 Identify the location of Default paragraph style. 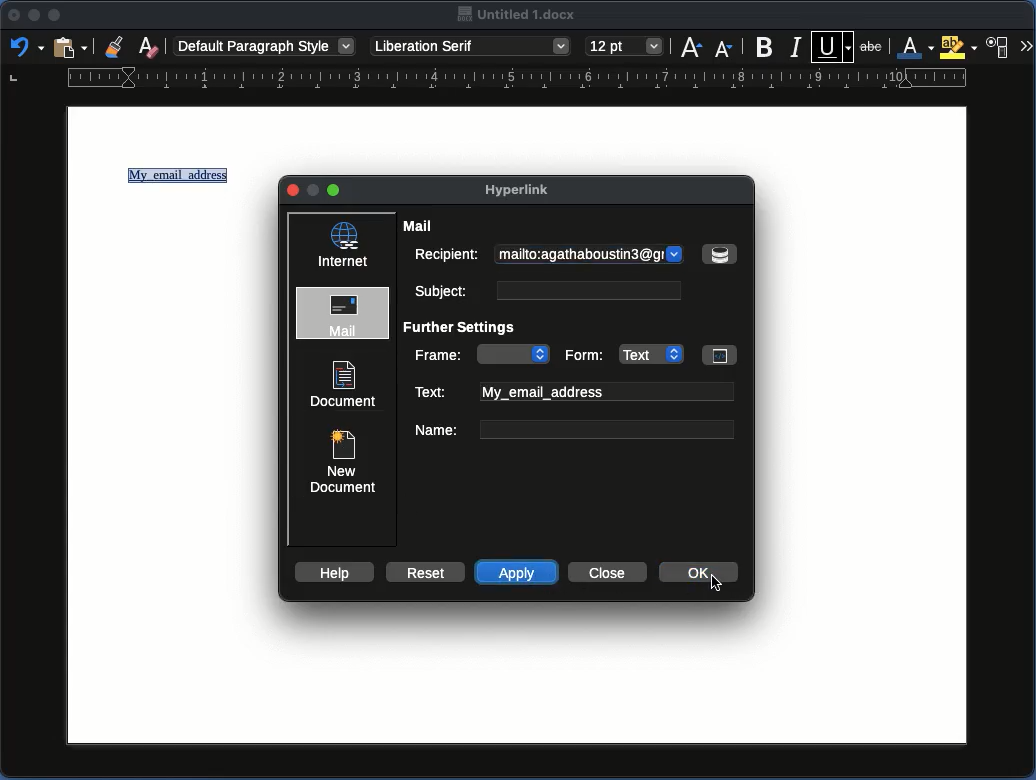
(265, 45).